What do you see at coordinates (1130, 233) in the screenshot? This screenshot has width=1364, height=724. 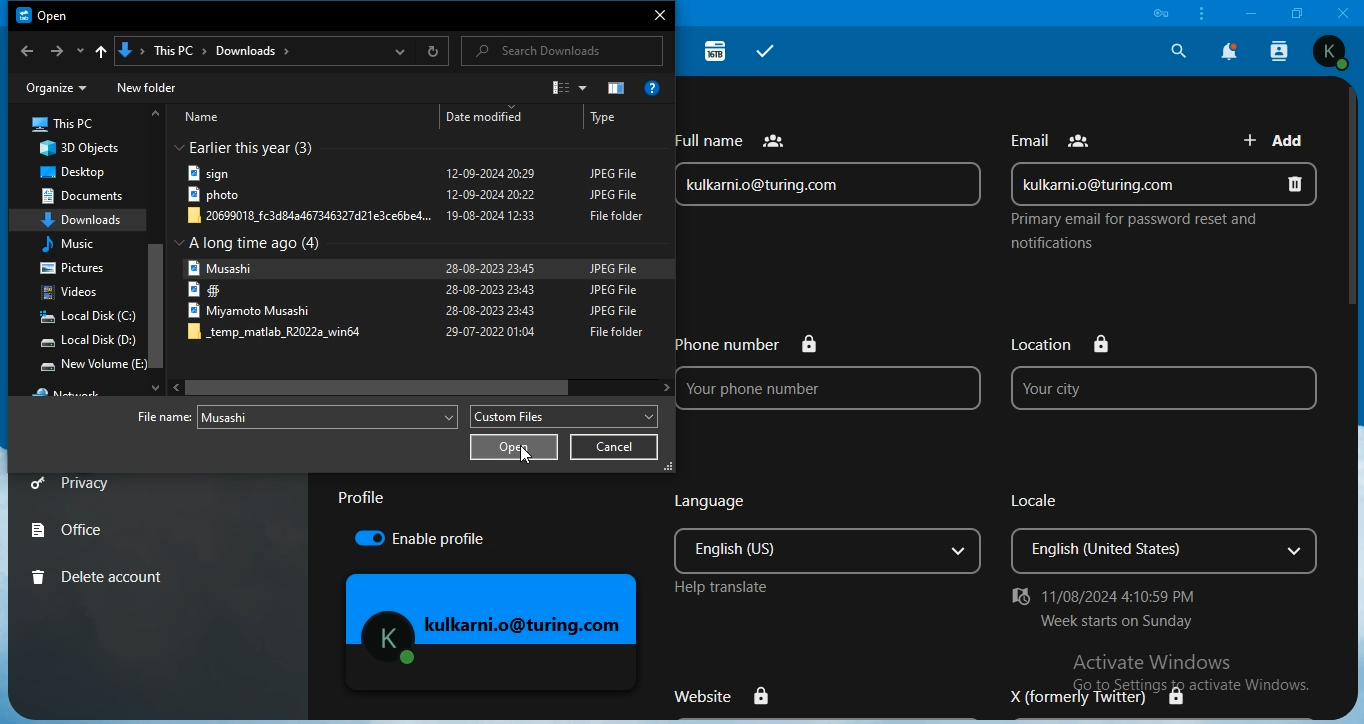 I see `text` at bounding box center [1130, 233].